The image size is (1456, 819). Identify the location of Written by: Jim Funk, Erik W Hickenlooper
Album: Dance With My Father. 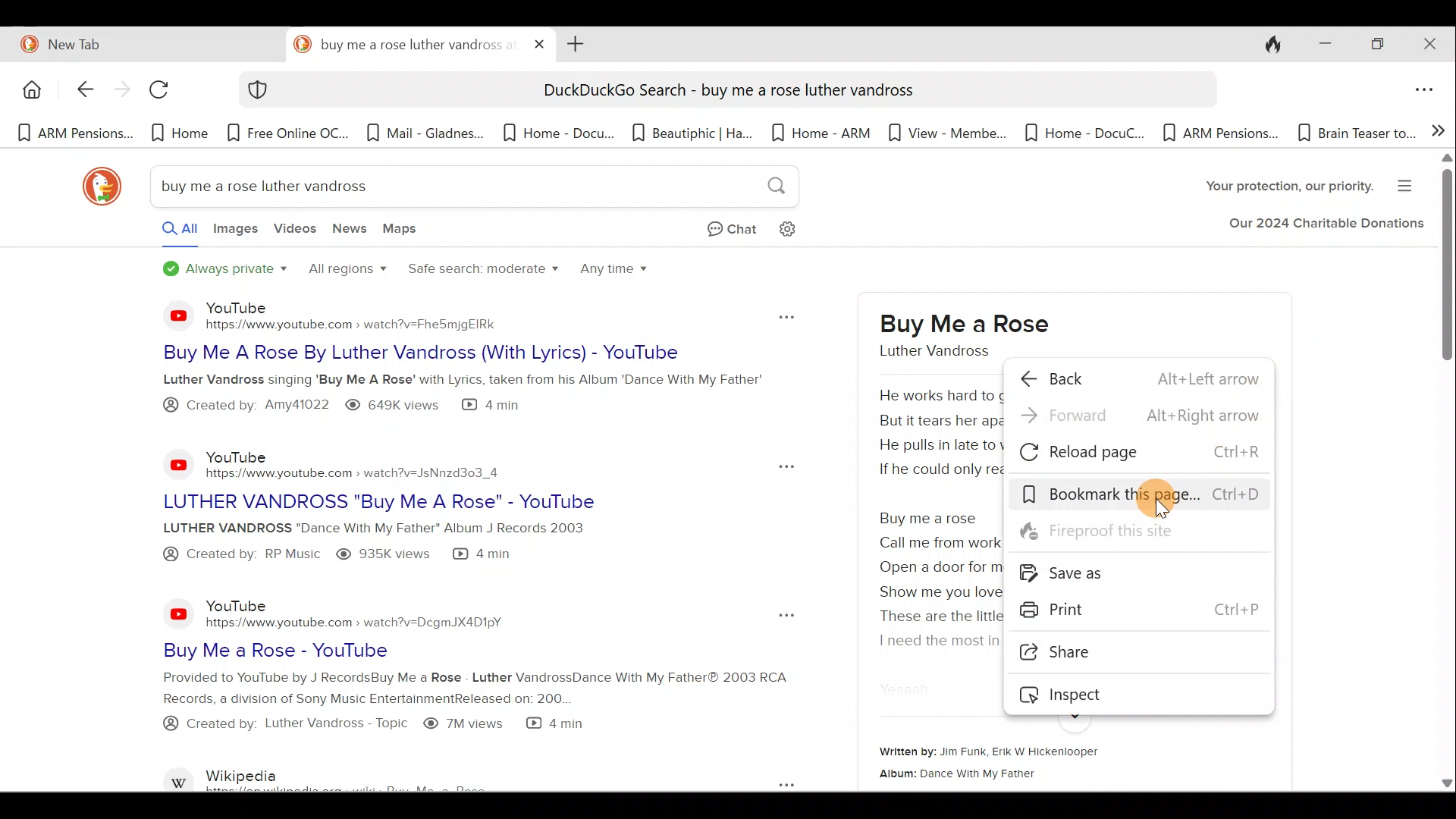
(1050, 765).